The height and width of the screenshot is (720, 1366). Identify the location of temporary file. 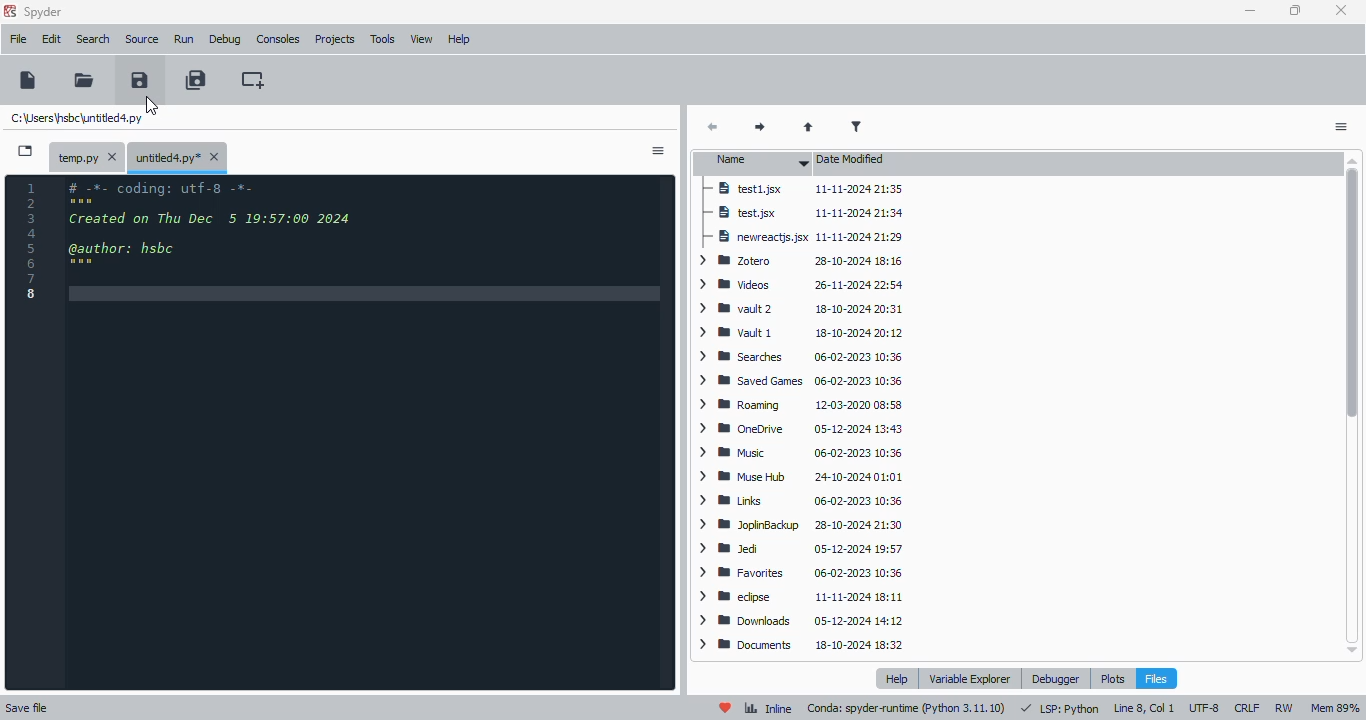
(85, 156).